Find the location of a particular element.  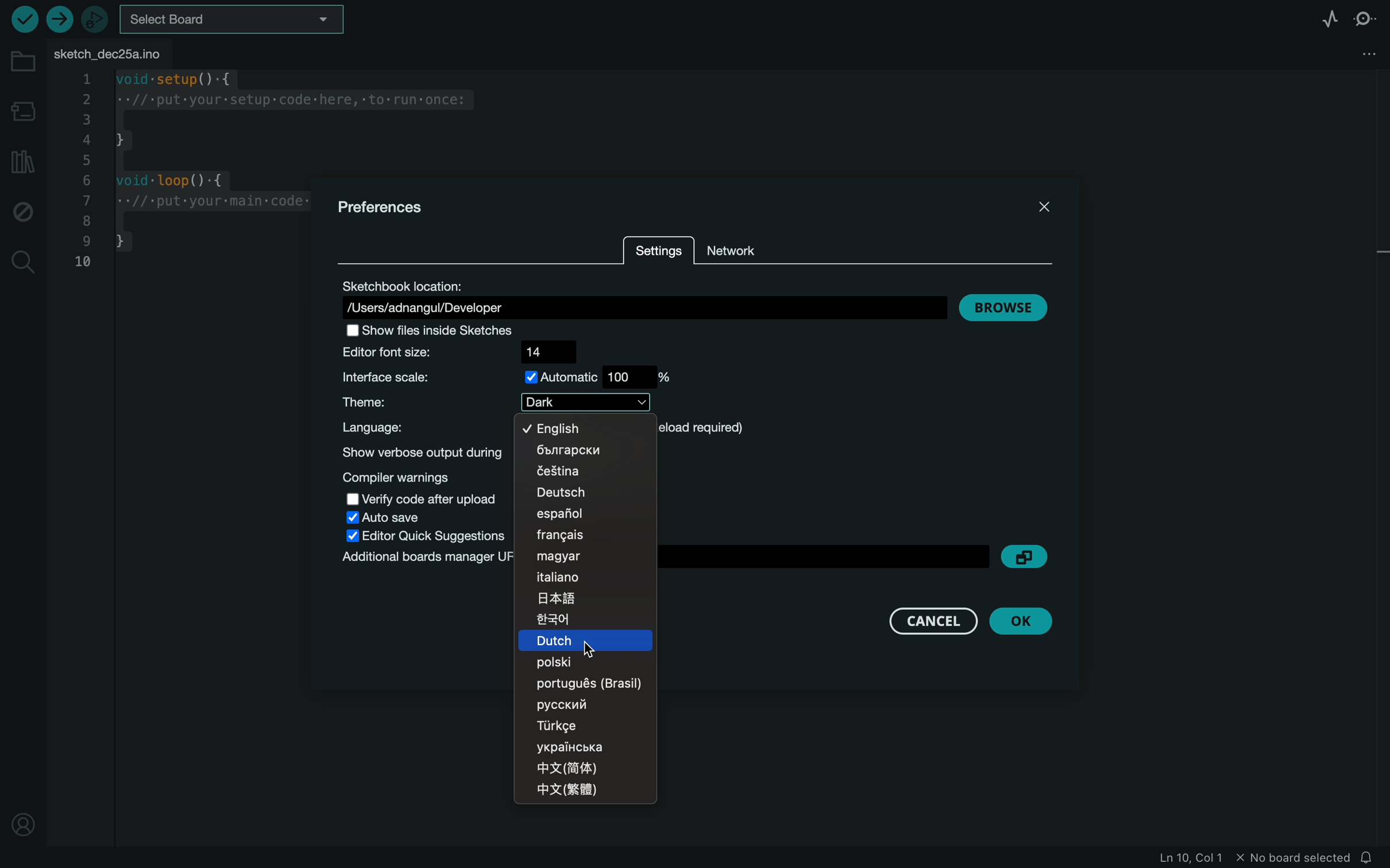

compiler is located at coordinates (420, 478).